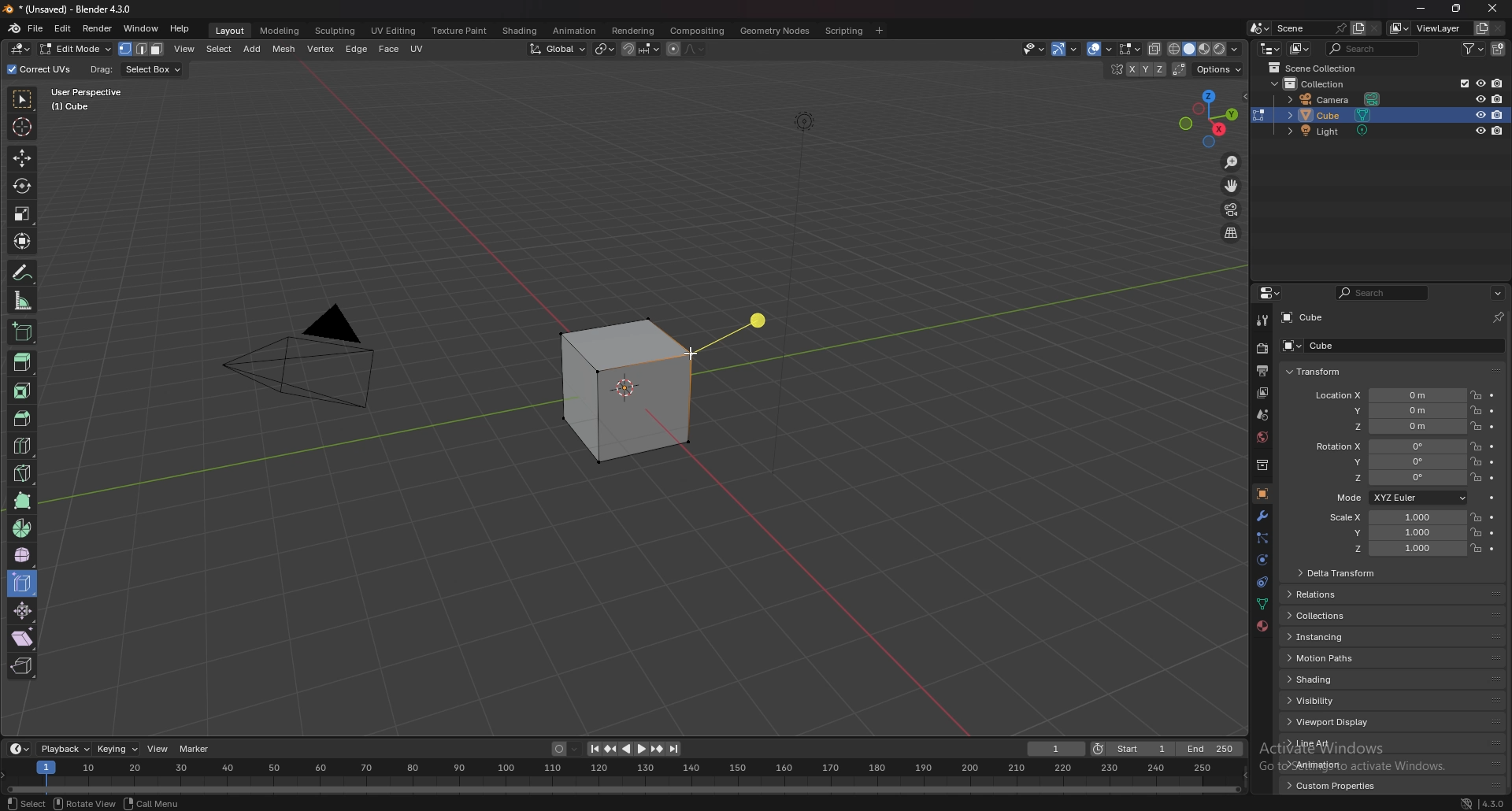 This screenshot has width=1512, height=811. What do you see at coordinates (1217, 69) in the screenshot?
I see `options` at bounding box center [1217, 69].